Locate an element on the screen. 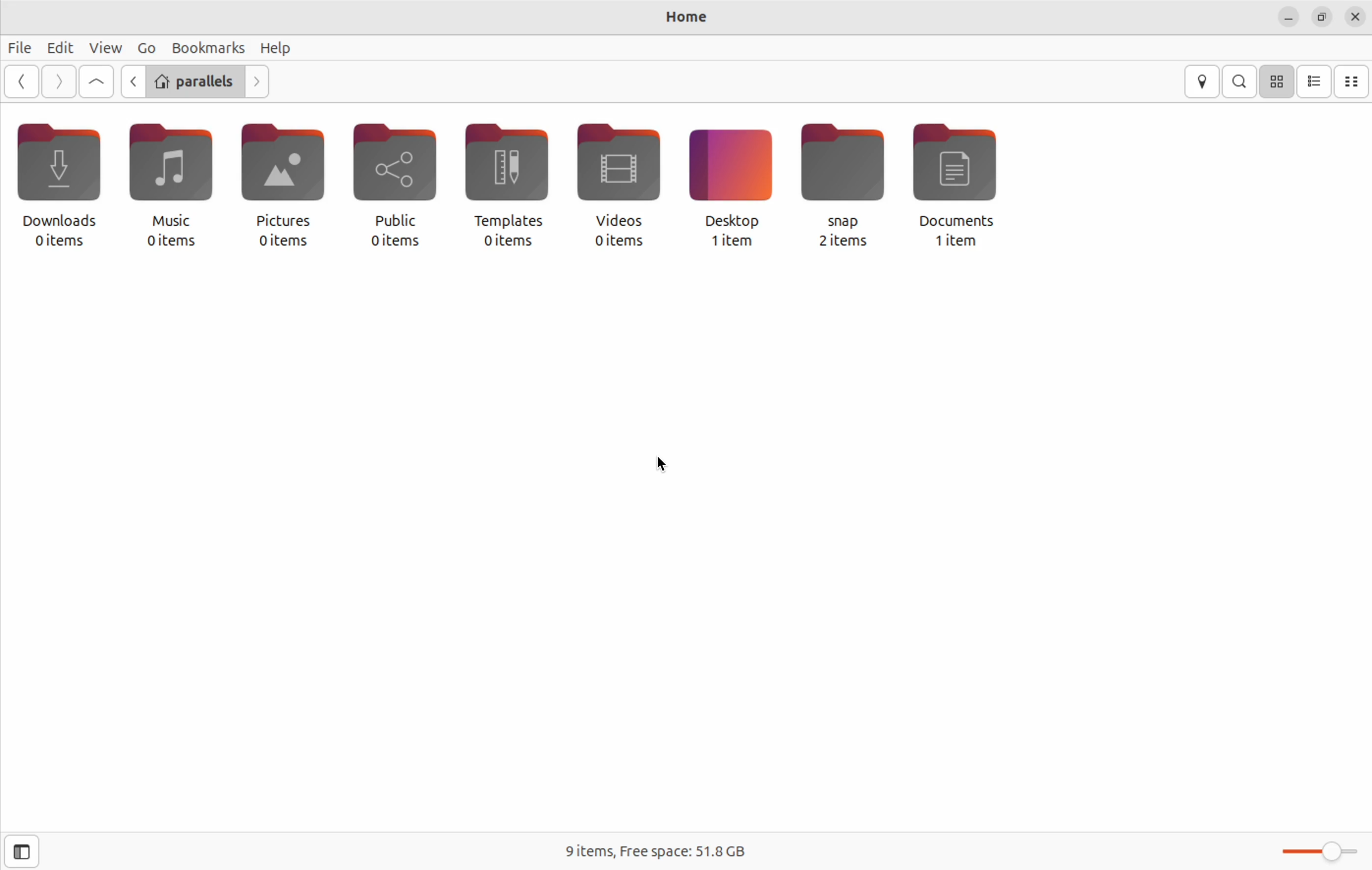  minimize is located at coordinates (1285, 18).